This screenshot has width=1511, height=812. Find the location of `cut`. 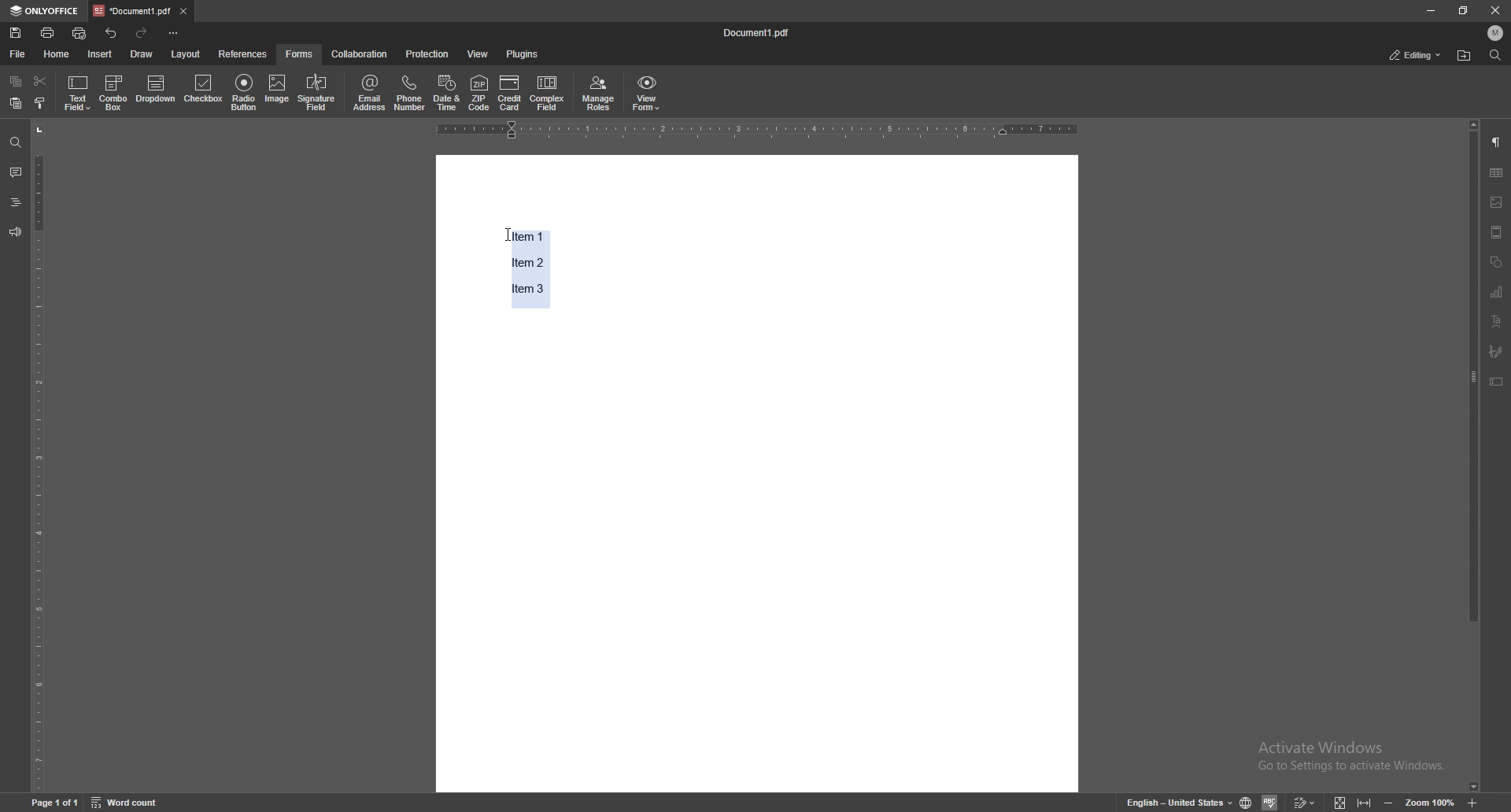

cut is located at coordinates (41, 82).